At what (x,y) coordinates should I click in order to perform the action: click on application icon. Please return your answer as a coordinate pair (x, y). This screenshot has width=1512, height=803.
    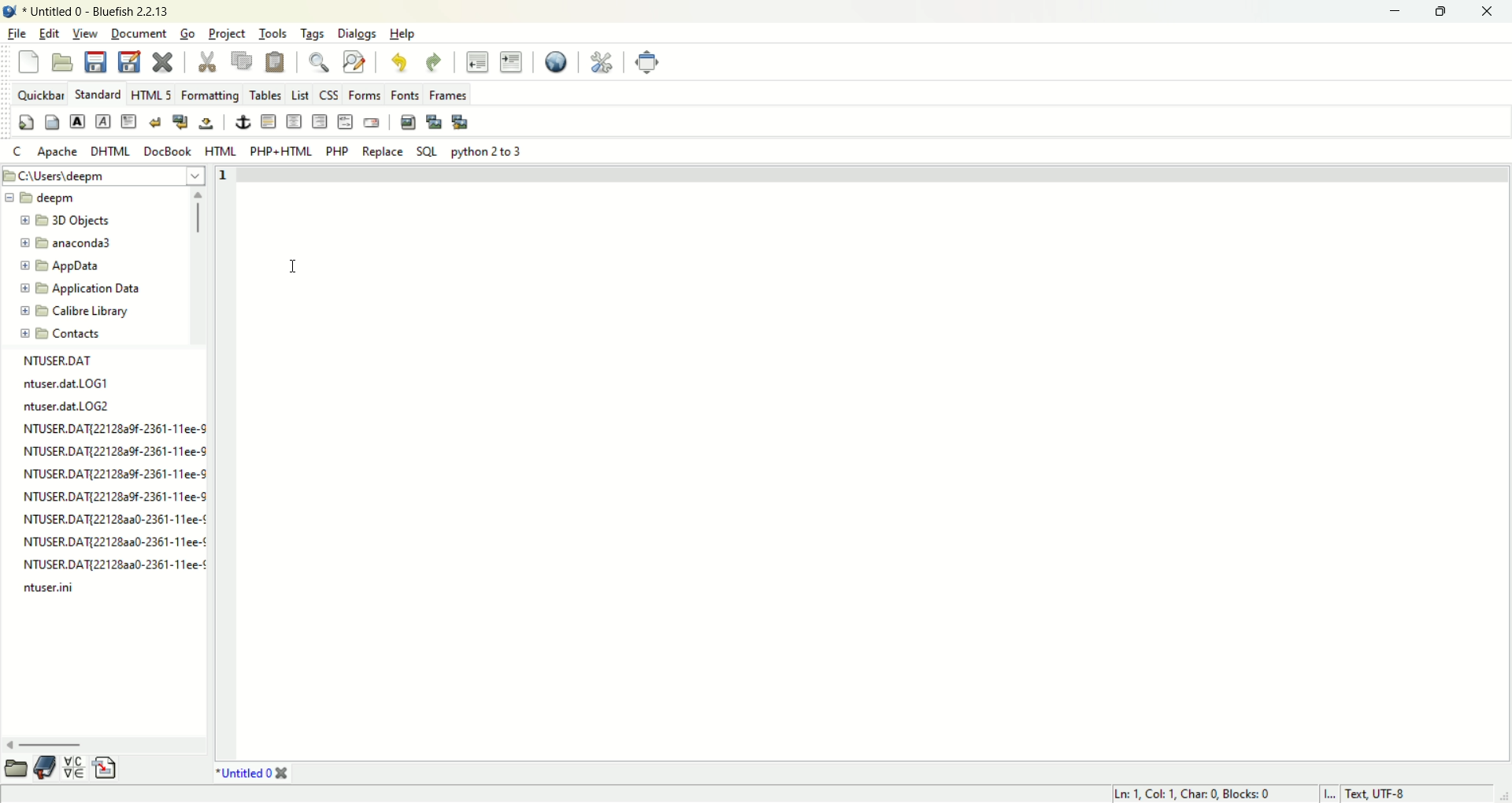
    Looking at the image, I should click on (13, 12).